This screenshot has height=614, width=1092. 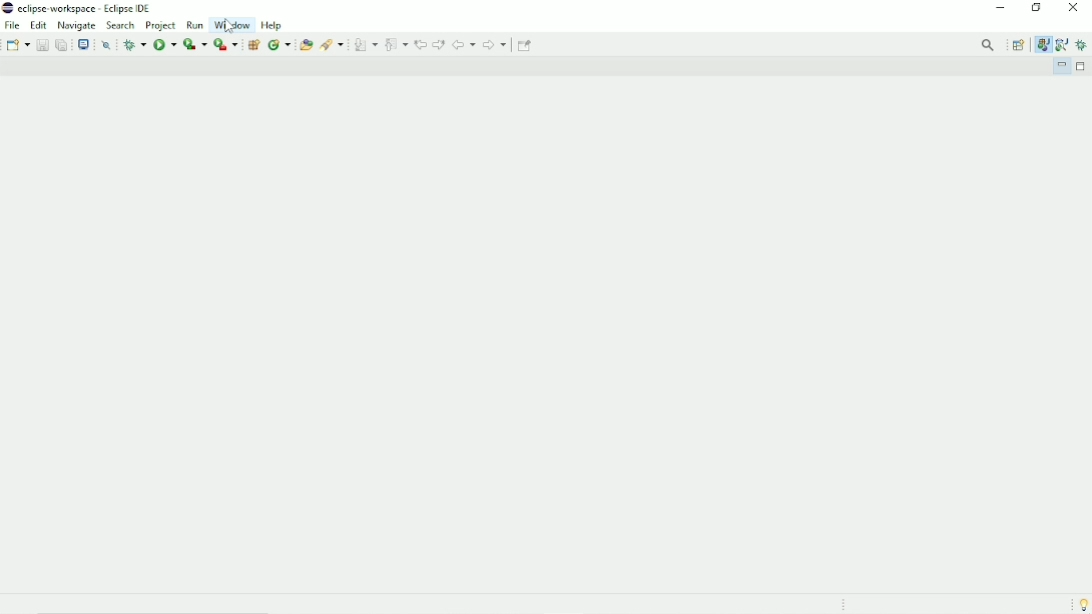 What do you see at coordinates (279, 45) in the screenshot?
I see `New java class` at bounding box center [279, 45].